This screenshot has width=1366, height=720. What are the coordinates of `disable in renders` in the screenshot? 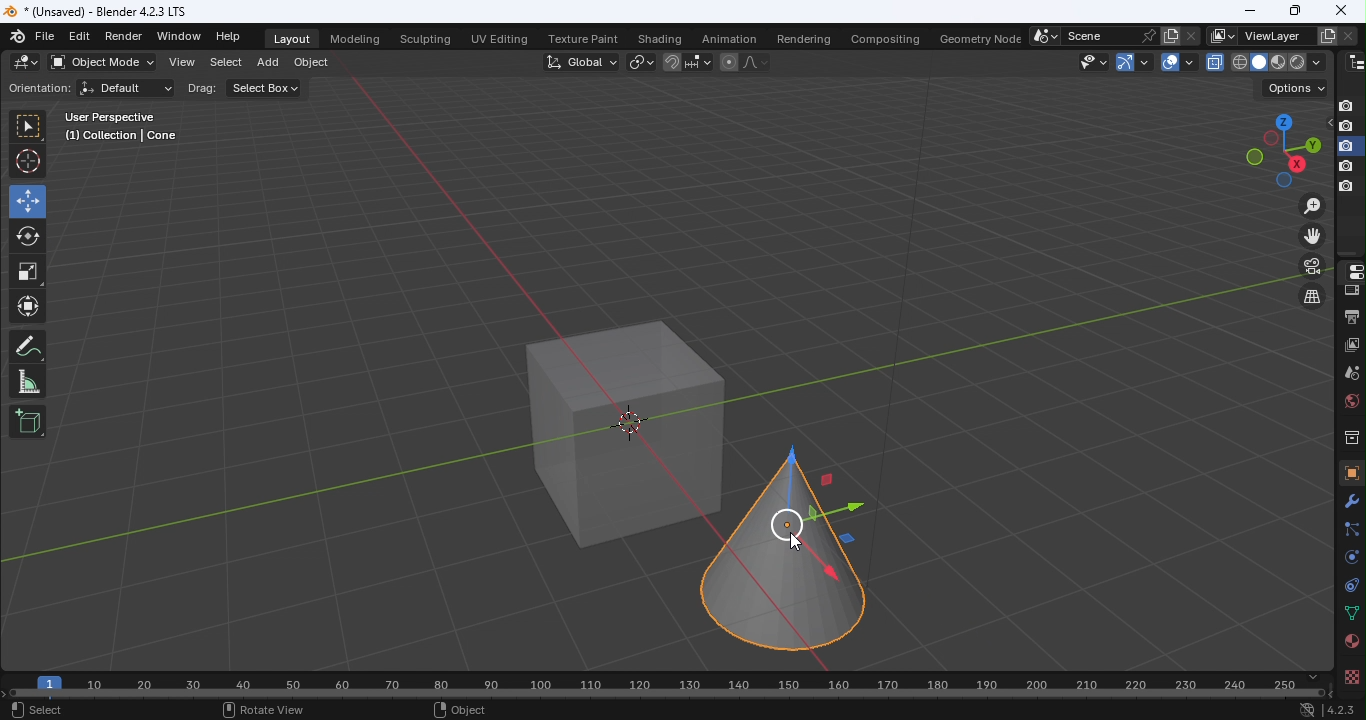 It's located at (1346, 127).